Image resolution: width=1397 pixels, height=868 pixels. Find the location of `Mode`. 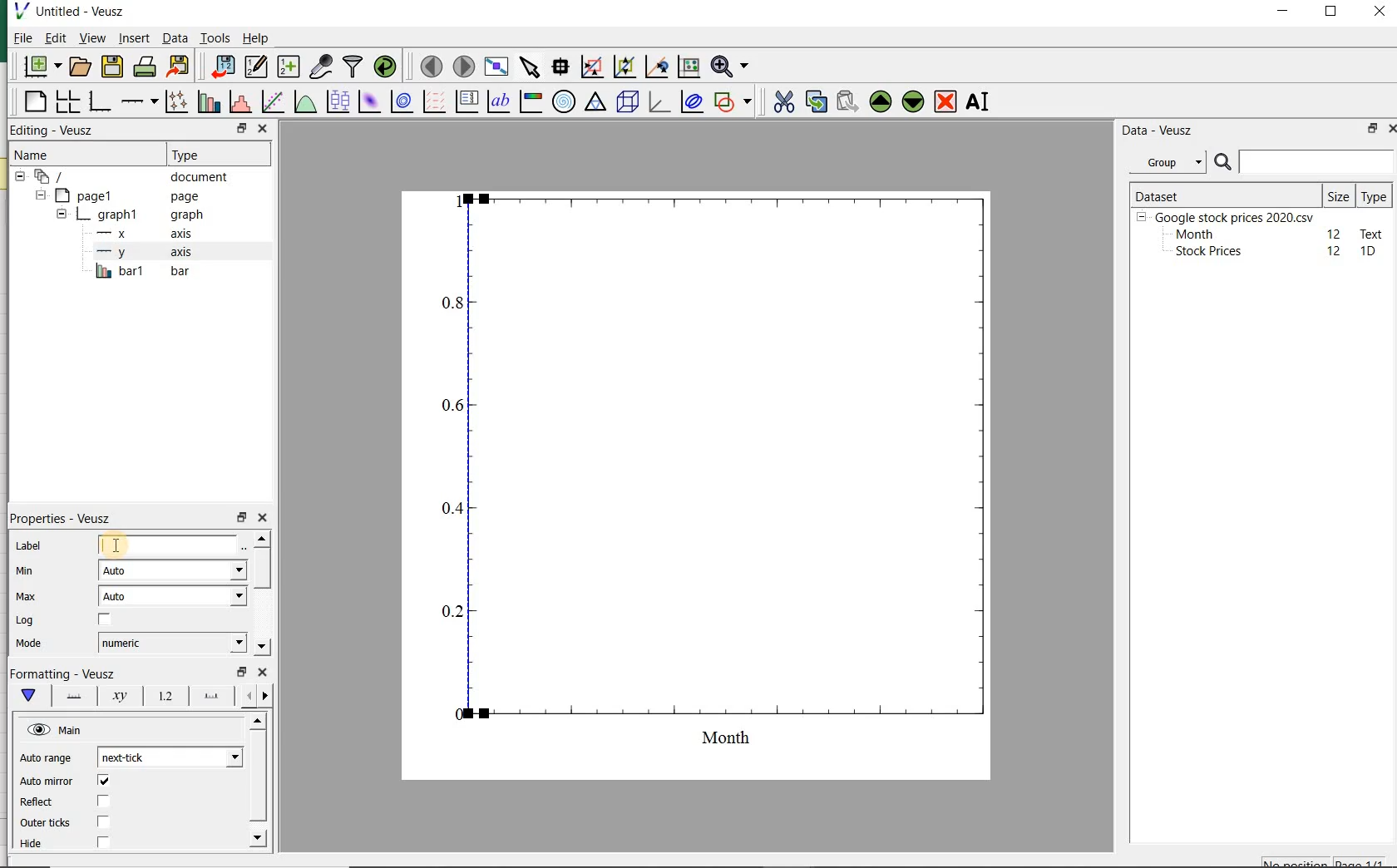

Mode is located at coordinates (26, 644).